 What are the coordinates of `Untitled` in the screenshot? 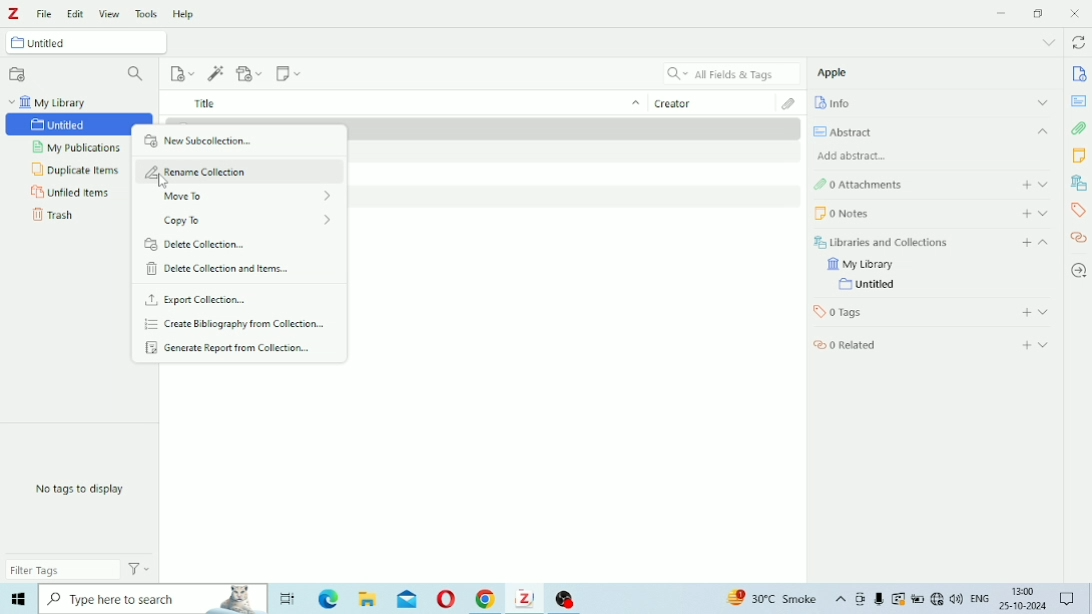 It's located at (870, 285).